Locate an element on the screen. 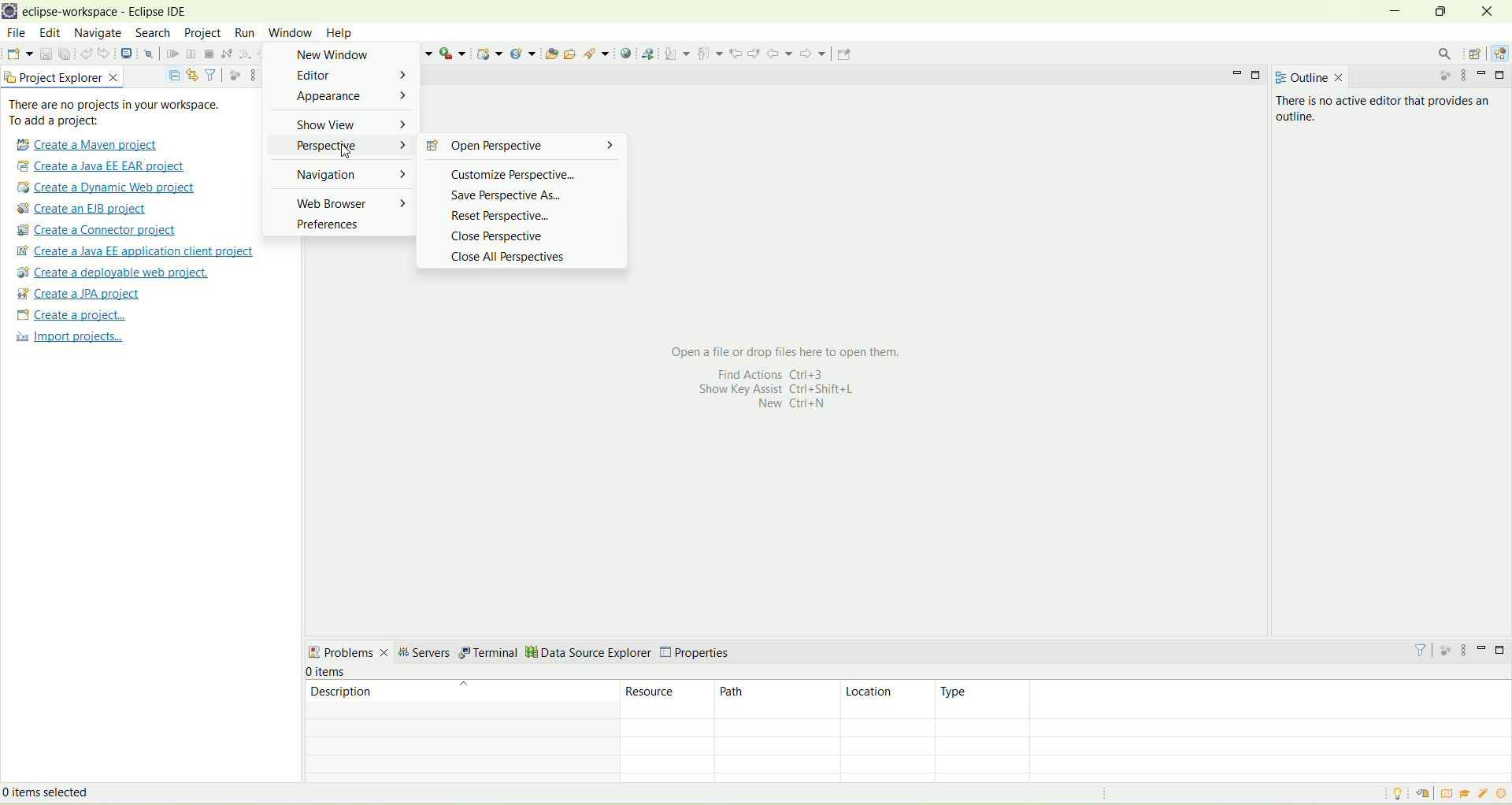 This screenshot has width=1512, height=805. customixze perspective is located at coordinates (514, 172).